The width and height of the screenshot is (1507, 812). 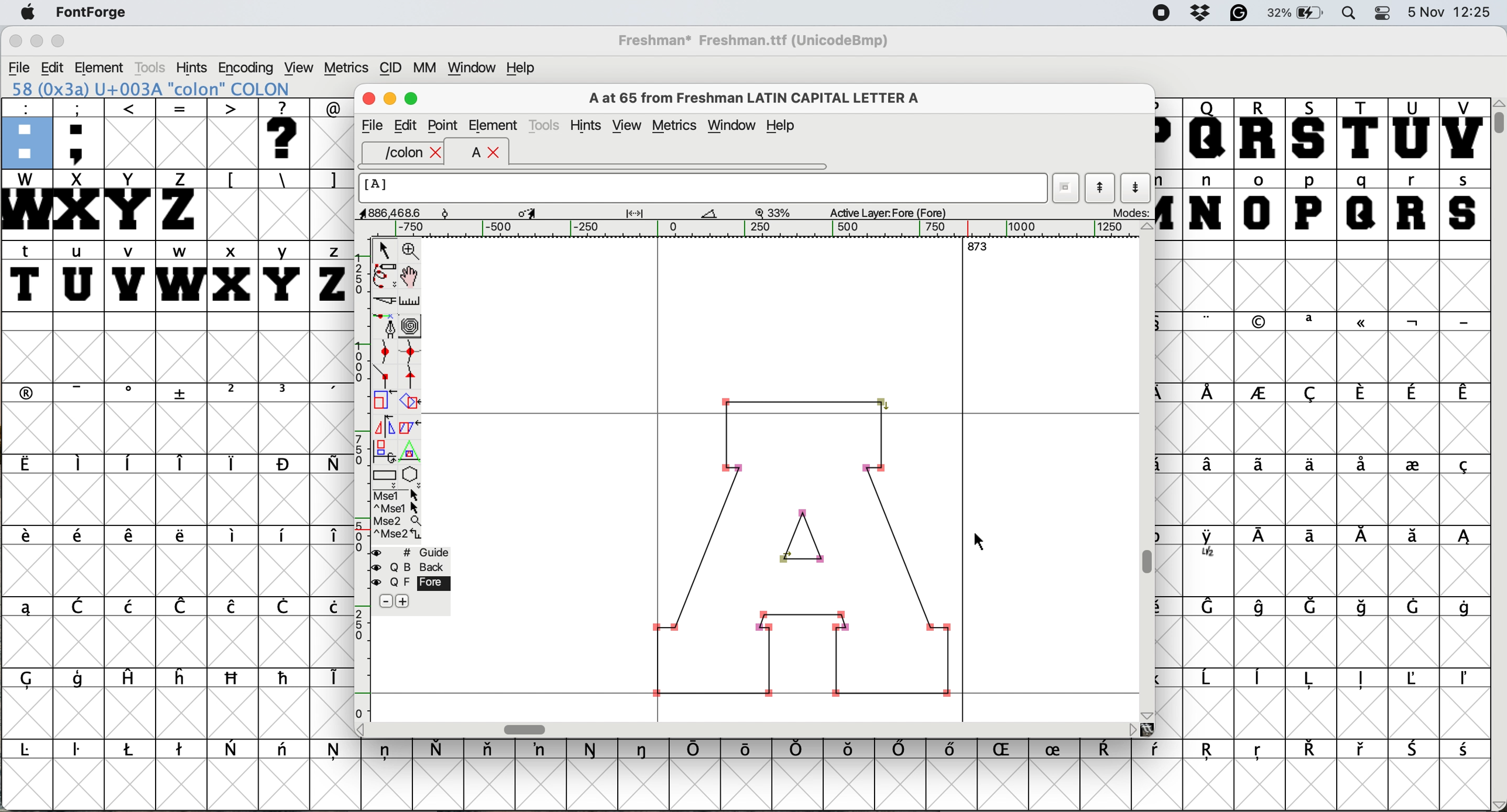 What do you see at coordinates (1242, 15) in the screenshot?
I see `grammarly` at bounding box center [1242, 15].